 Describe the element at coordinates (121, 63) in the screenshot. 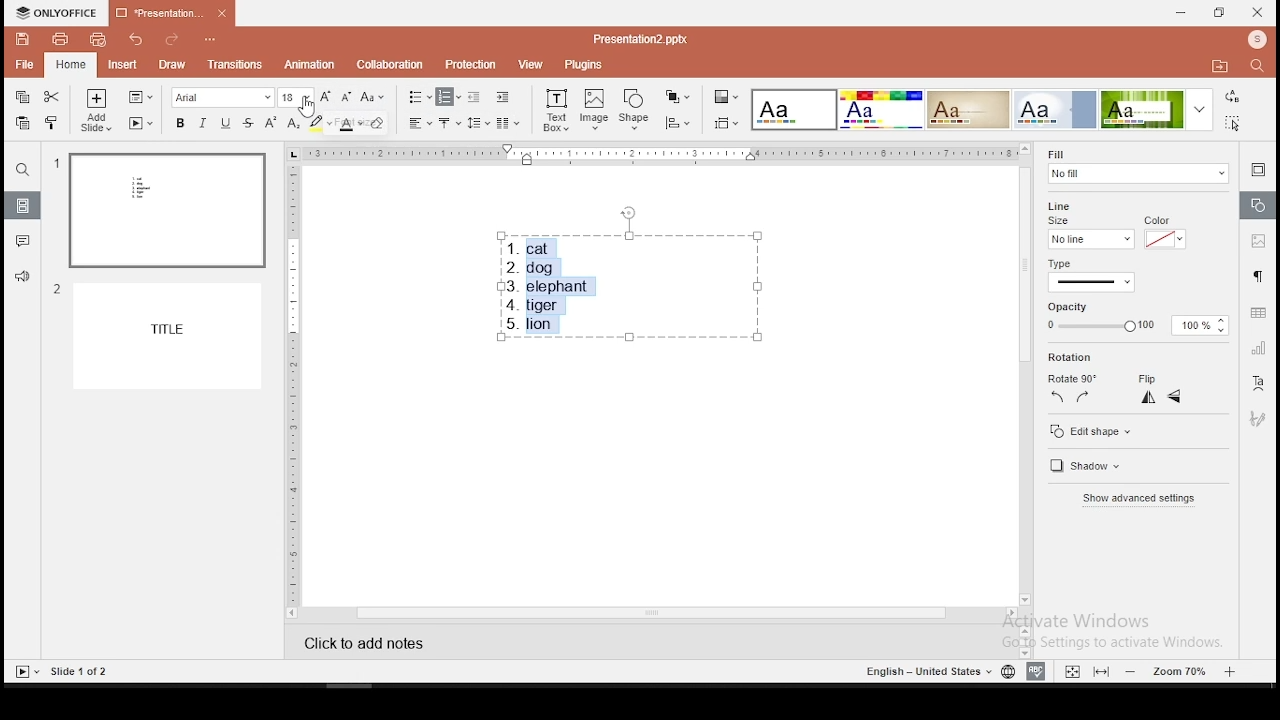

I see `insert` at that location.